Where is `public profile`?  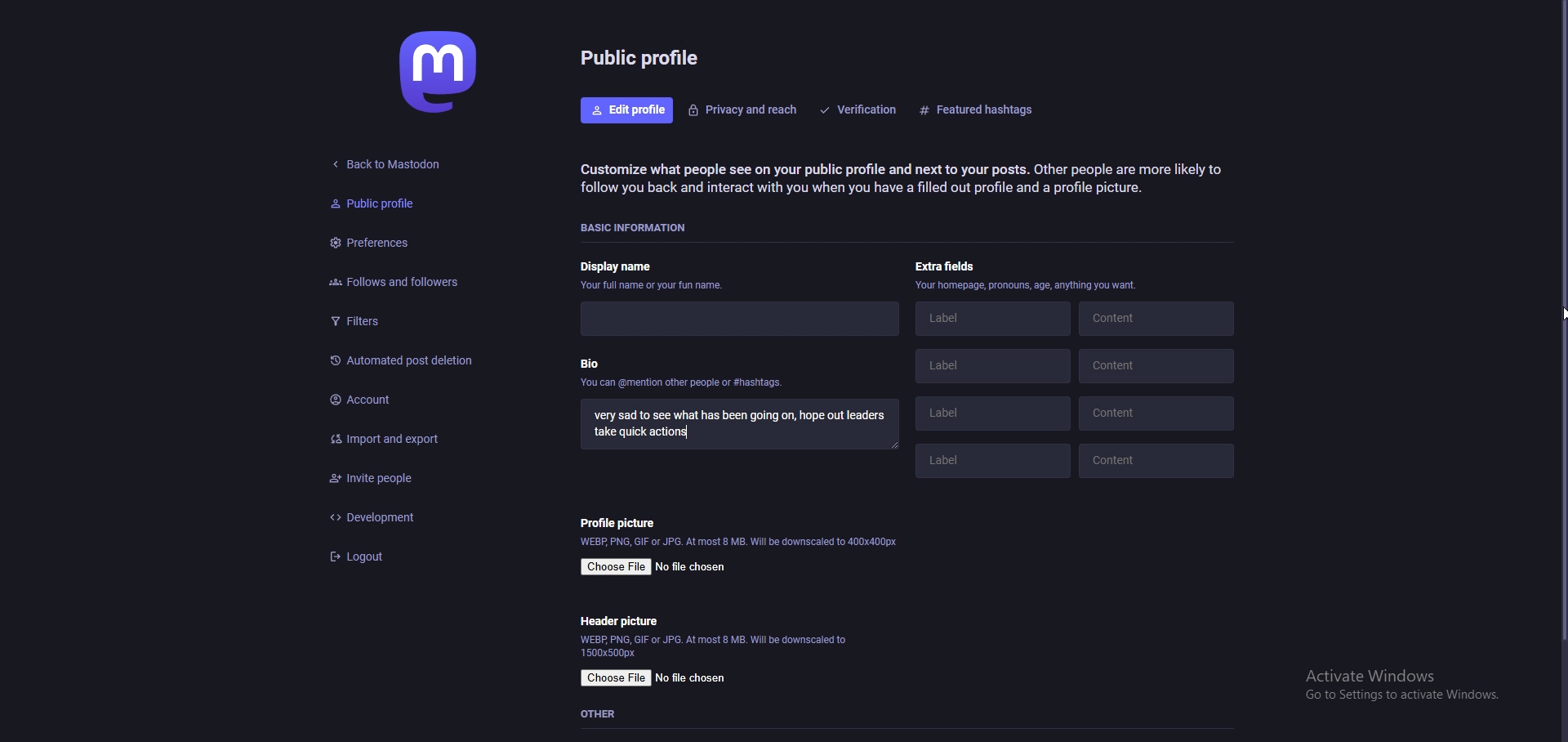 public profile is located at coordinates (394, 204).